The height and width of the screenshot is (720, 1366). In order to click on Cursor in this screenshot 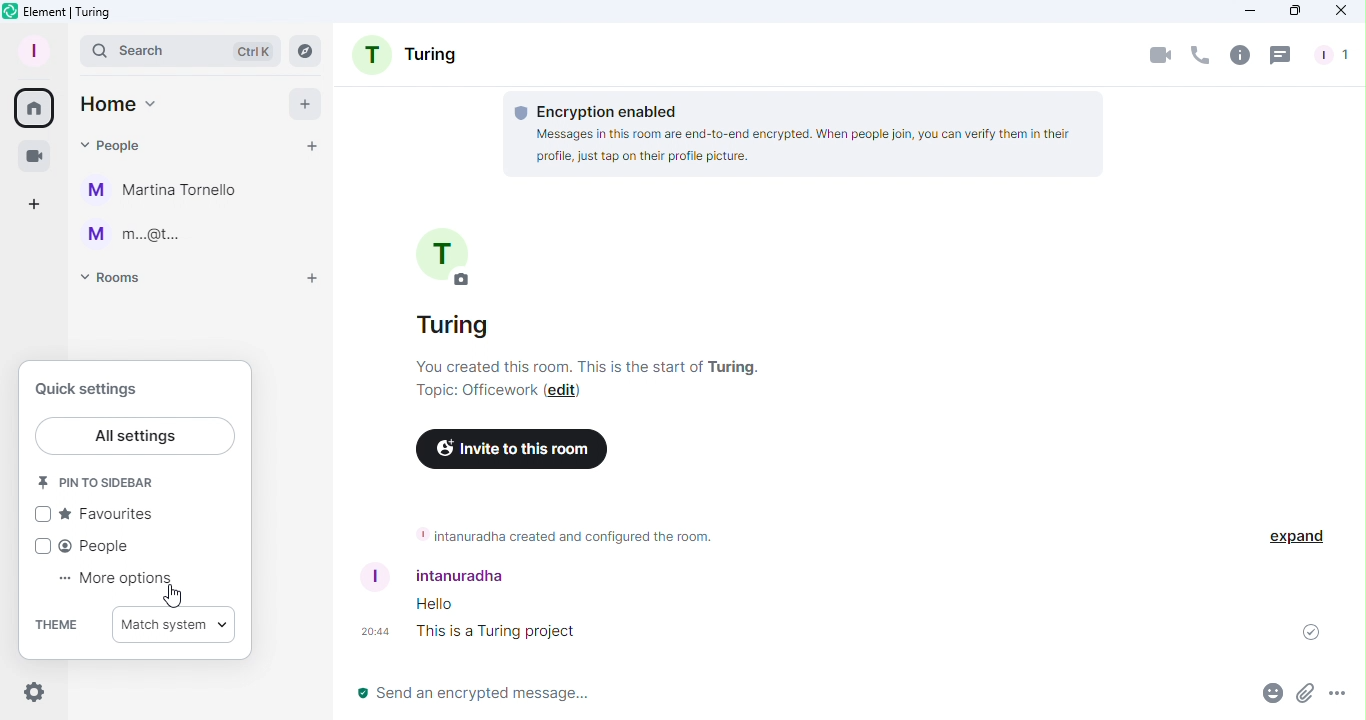, I will do `click(170, 596)`.